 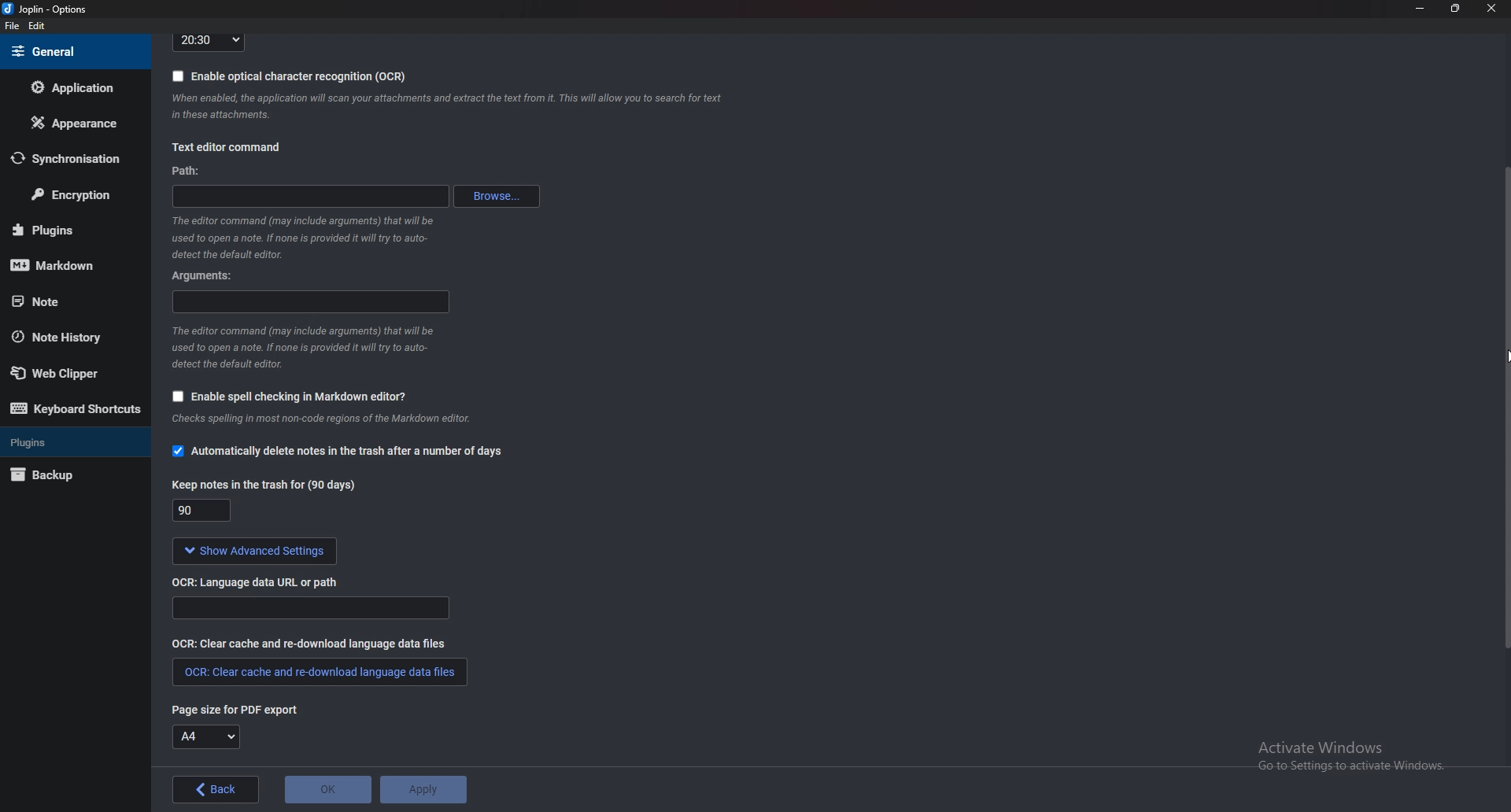 What do you see at coordinates (316, 194) in the screenshot?
I see `path` at bounding box center [316, 194].